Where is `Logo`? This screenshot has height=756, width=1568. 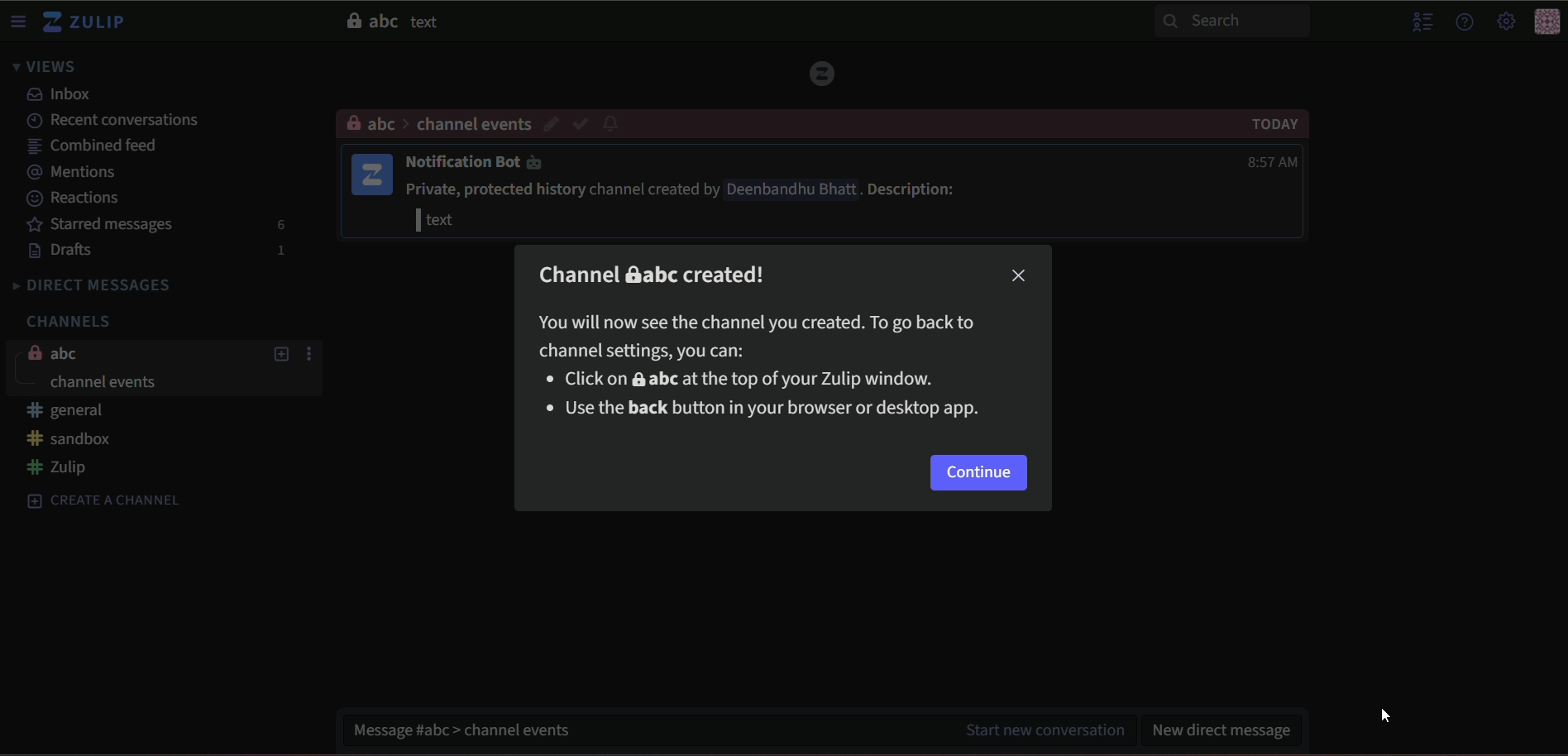 Logo is located at coordinates (822, 72).